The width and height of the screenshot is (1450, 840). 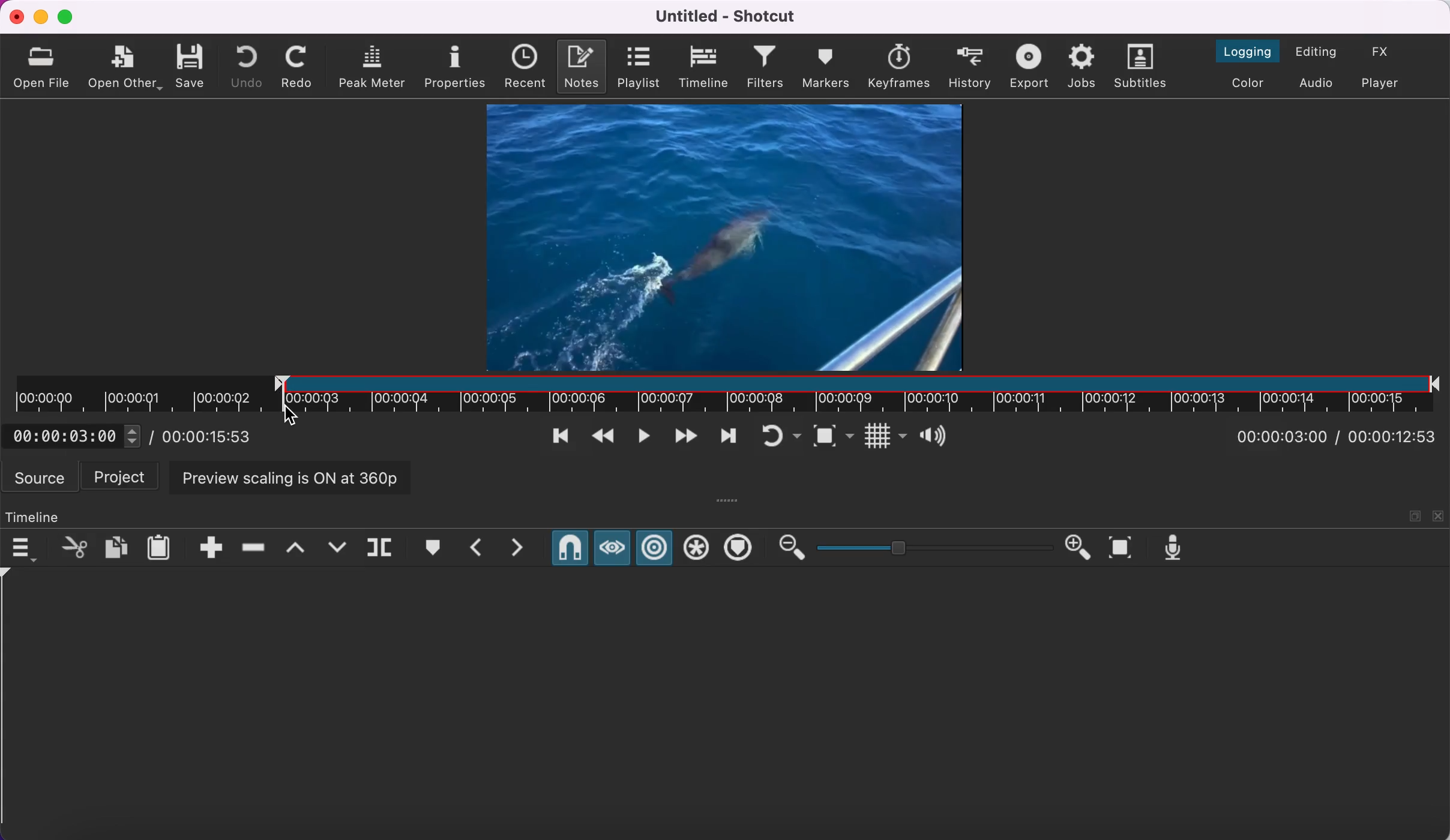 What do you see at coordinates (696, 550) in the screenshot?
I see `ripple all tracks` at bounding box center [696, 550].